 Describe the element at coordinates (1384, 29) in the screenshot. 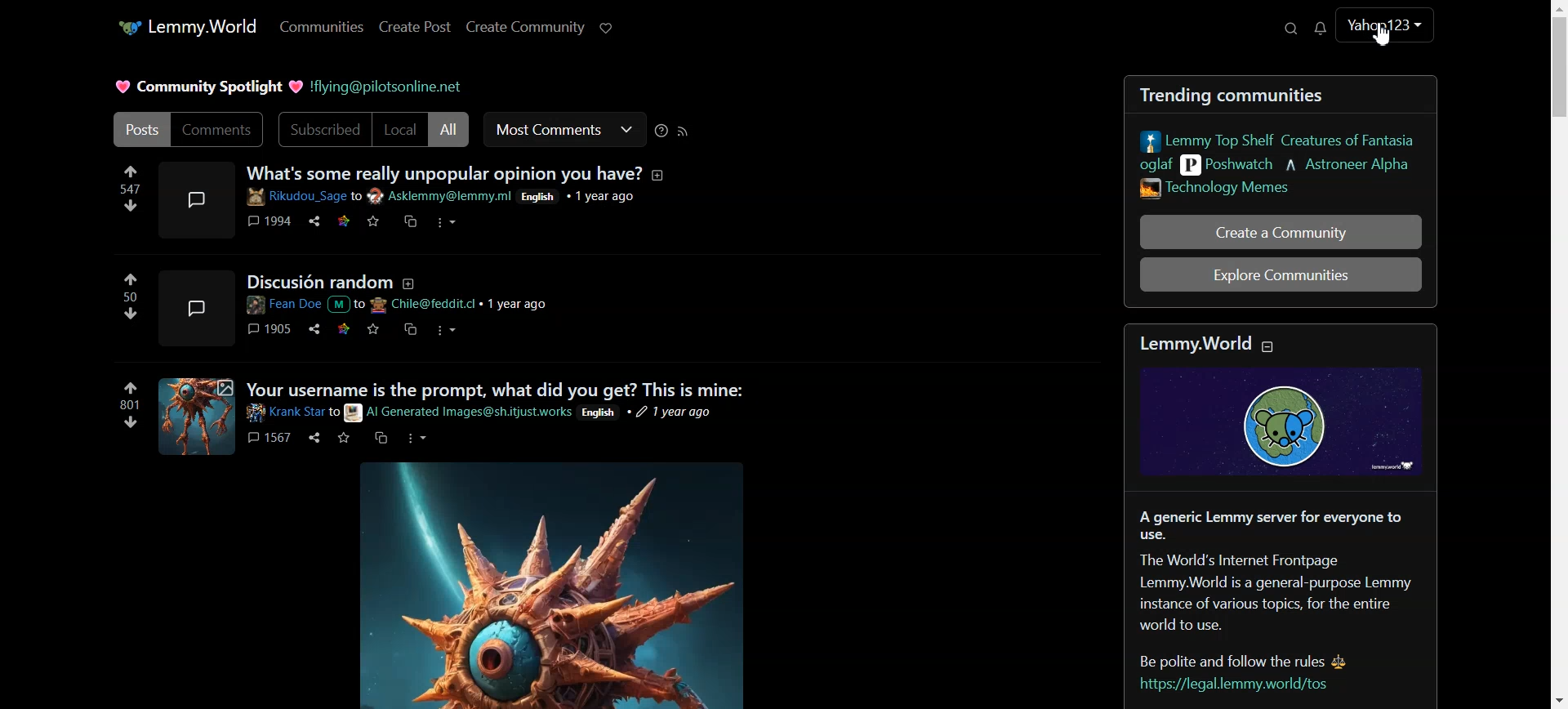

I see `Profile` at that location.